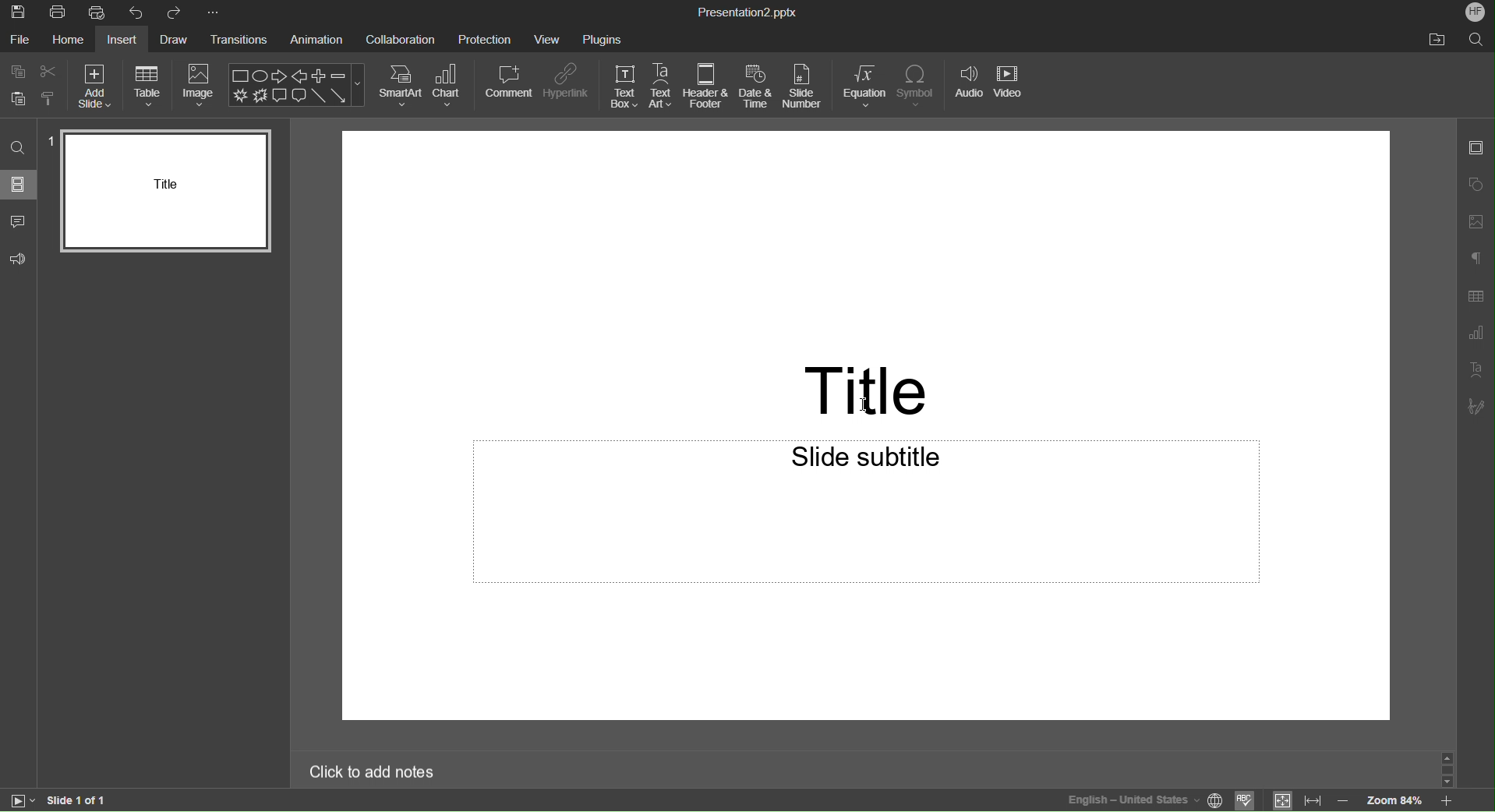 This screenshot has height=812, width=1495. Describe the element at coordinates (212, 12) in the screenshot. I see `More` at that location.